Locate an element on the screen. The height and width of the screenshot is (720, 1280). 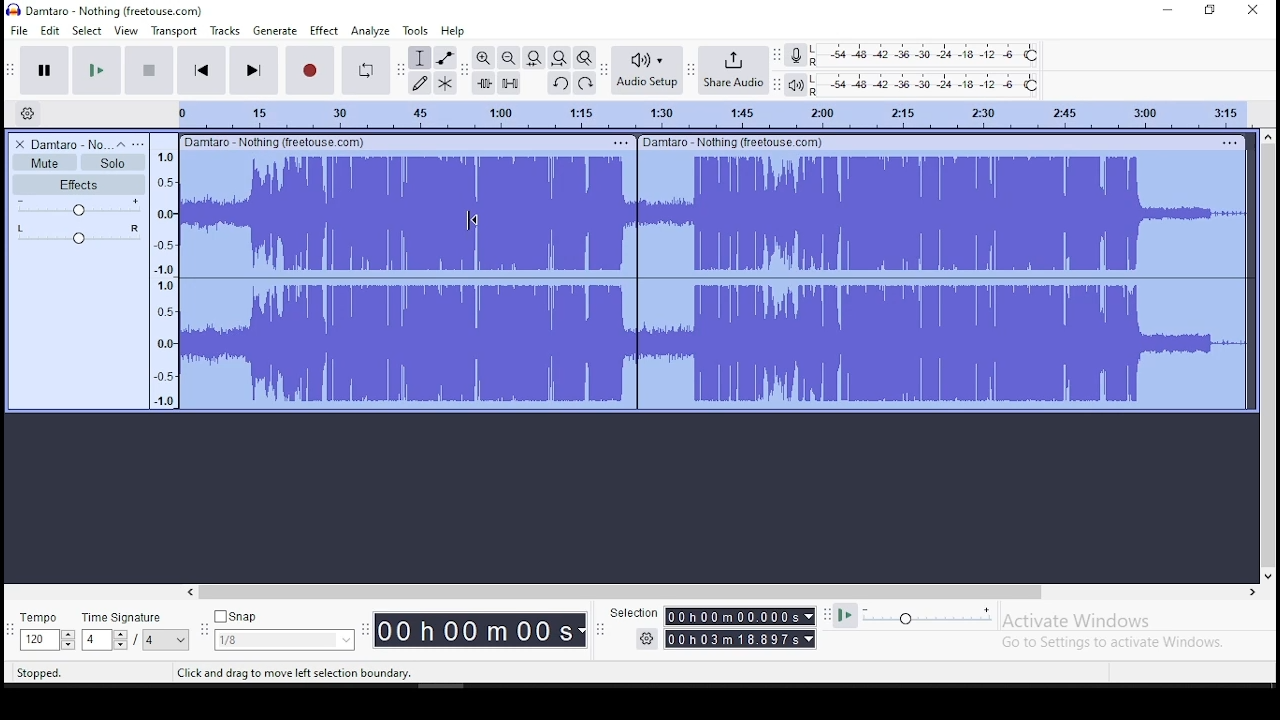
stopped is located at coordinates (40, 673).